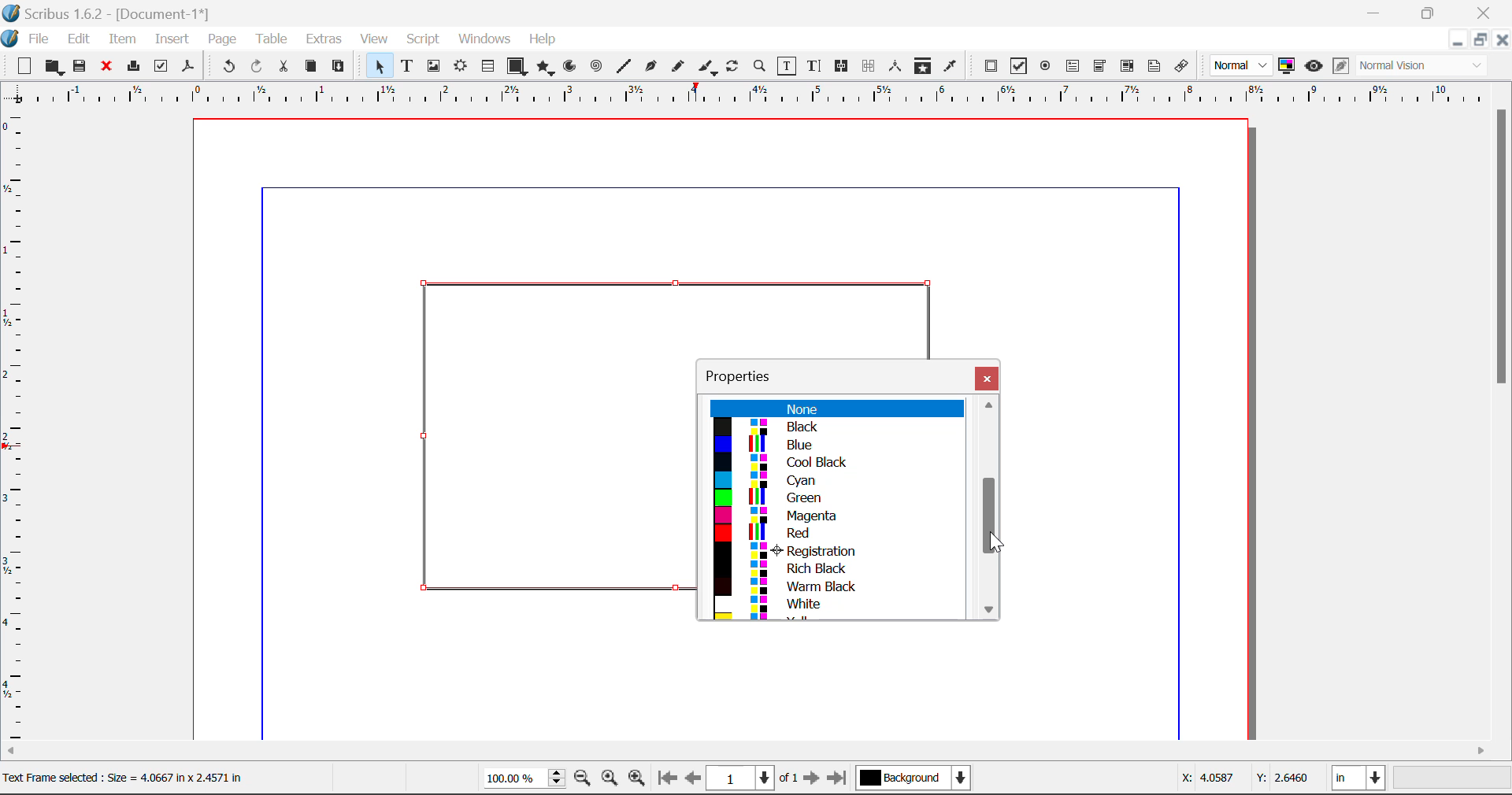 Image resolution: width=1512 pixels, height=795 pixels. I want to click on Pre-flight Verifier, so click(161, 66).